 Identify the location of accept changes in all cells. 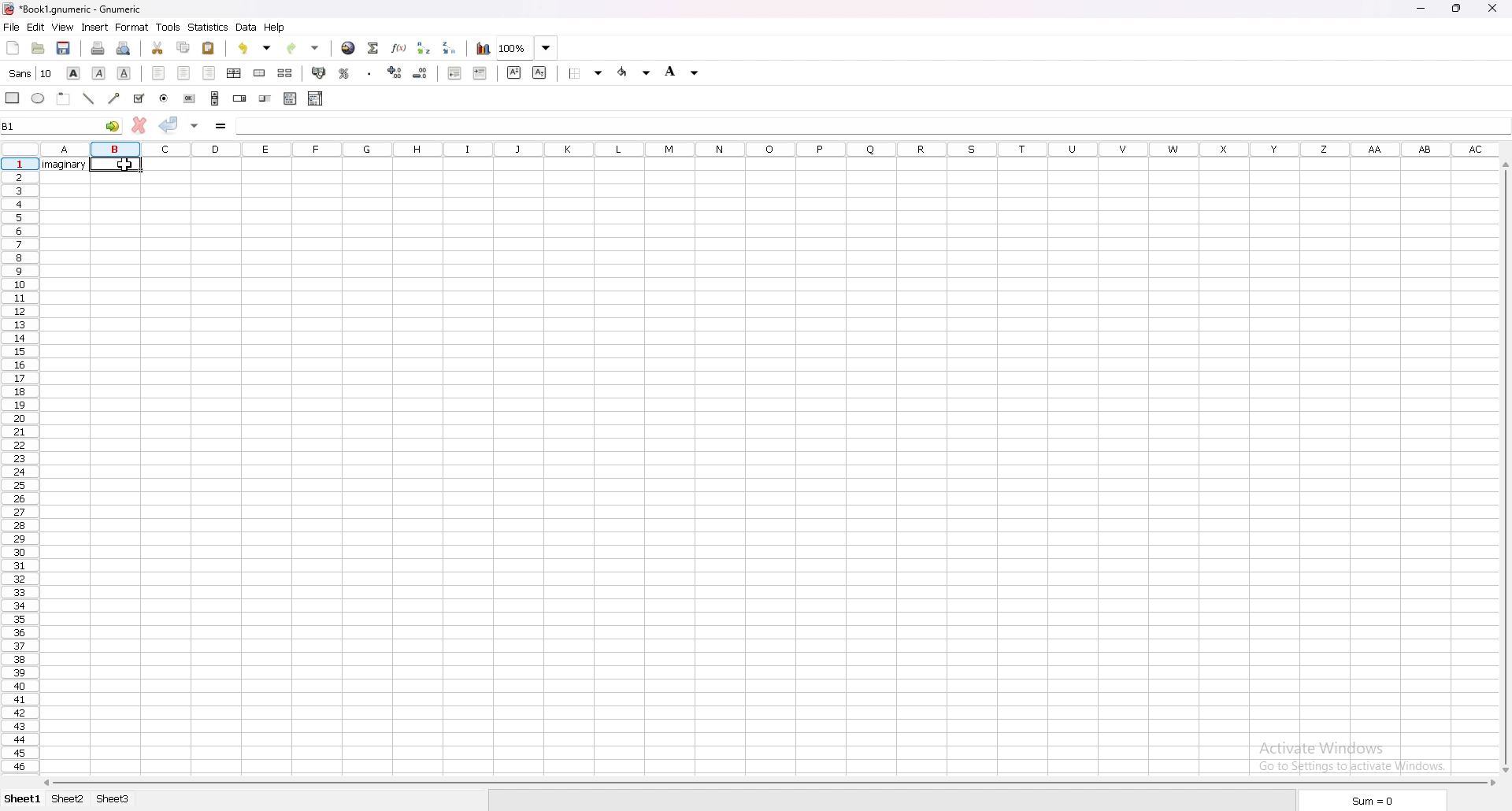
(196, 125).